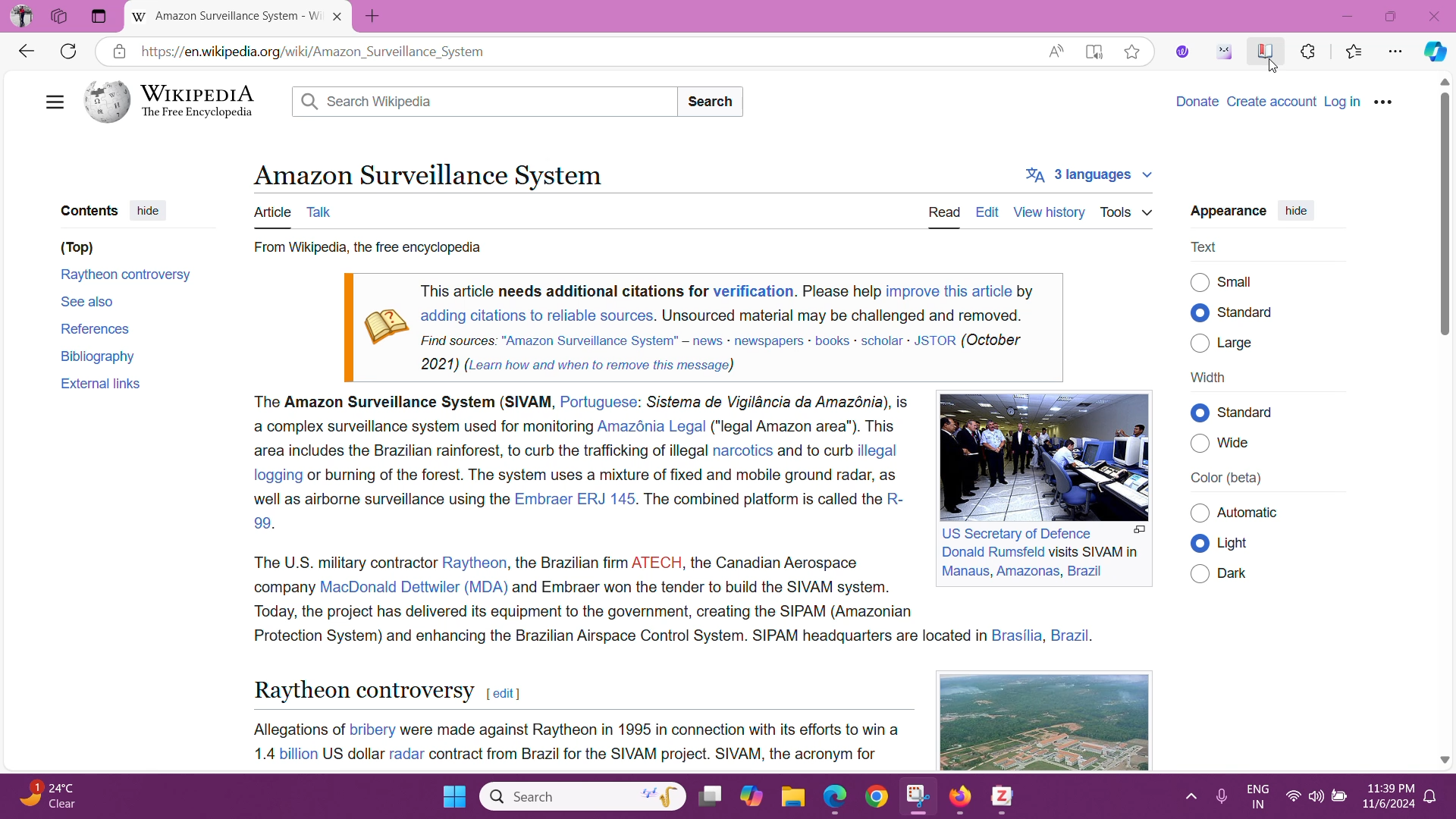 Image resolution: width=1456 pixels, height=819 pixels. Describe the element at coordinates (380, 500) in the screenshot. I see `well as airborne surveillance using the` at that location.